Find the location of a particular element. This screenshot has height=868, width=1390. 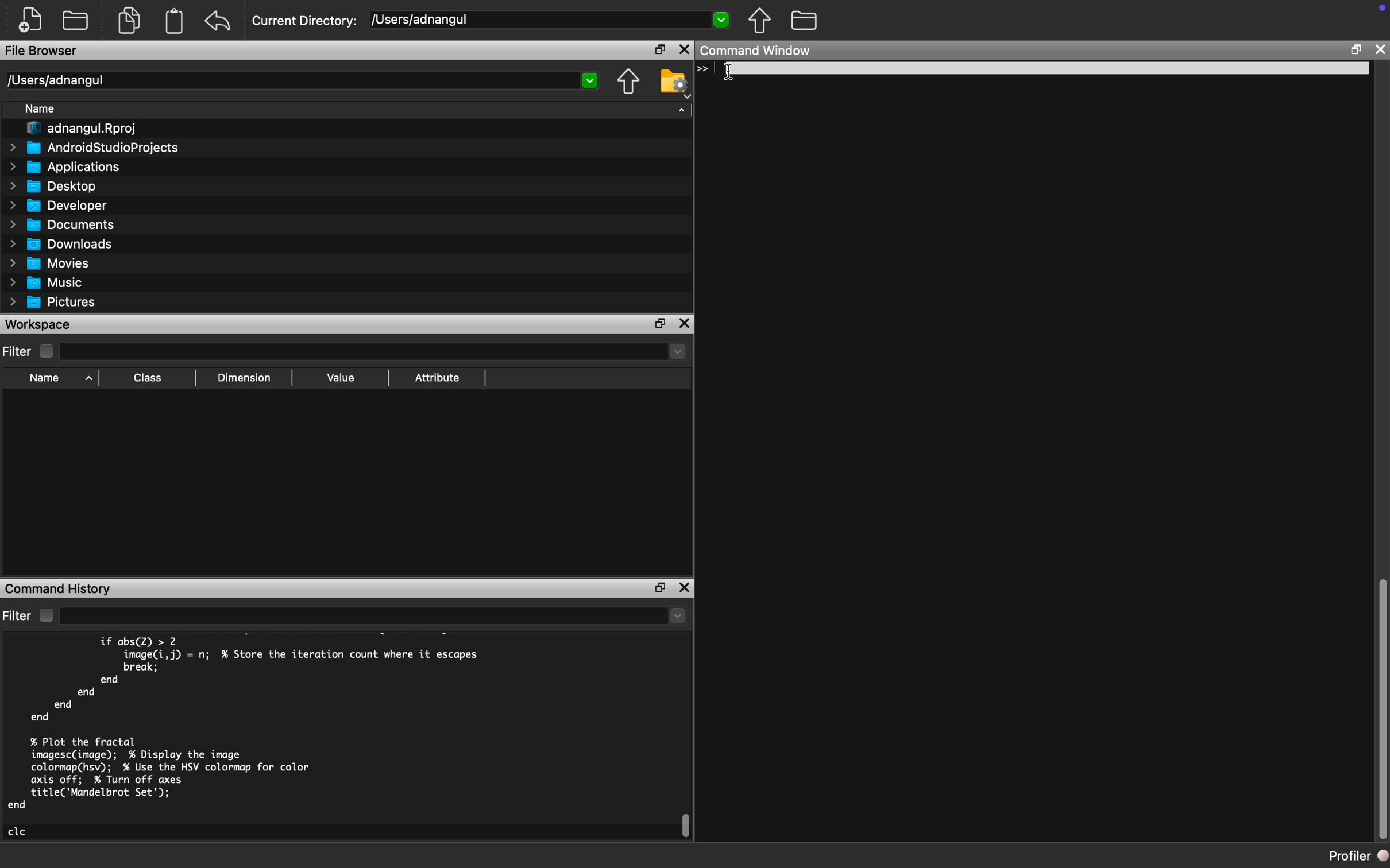

Command History is located at coordinates (61, 588).